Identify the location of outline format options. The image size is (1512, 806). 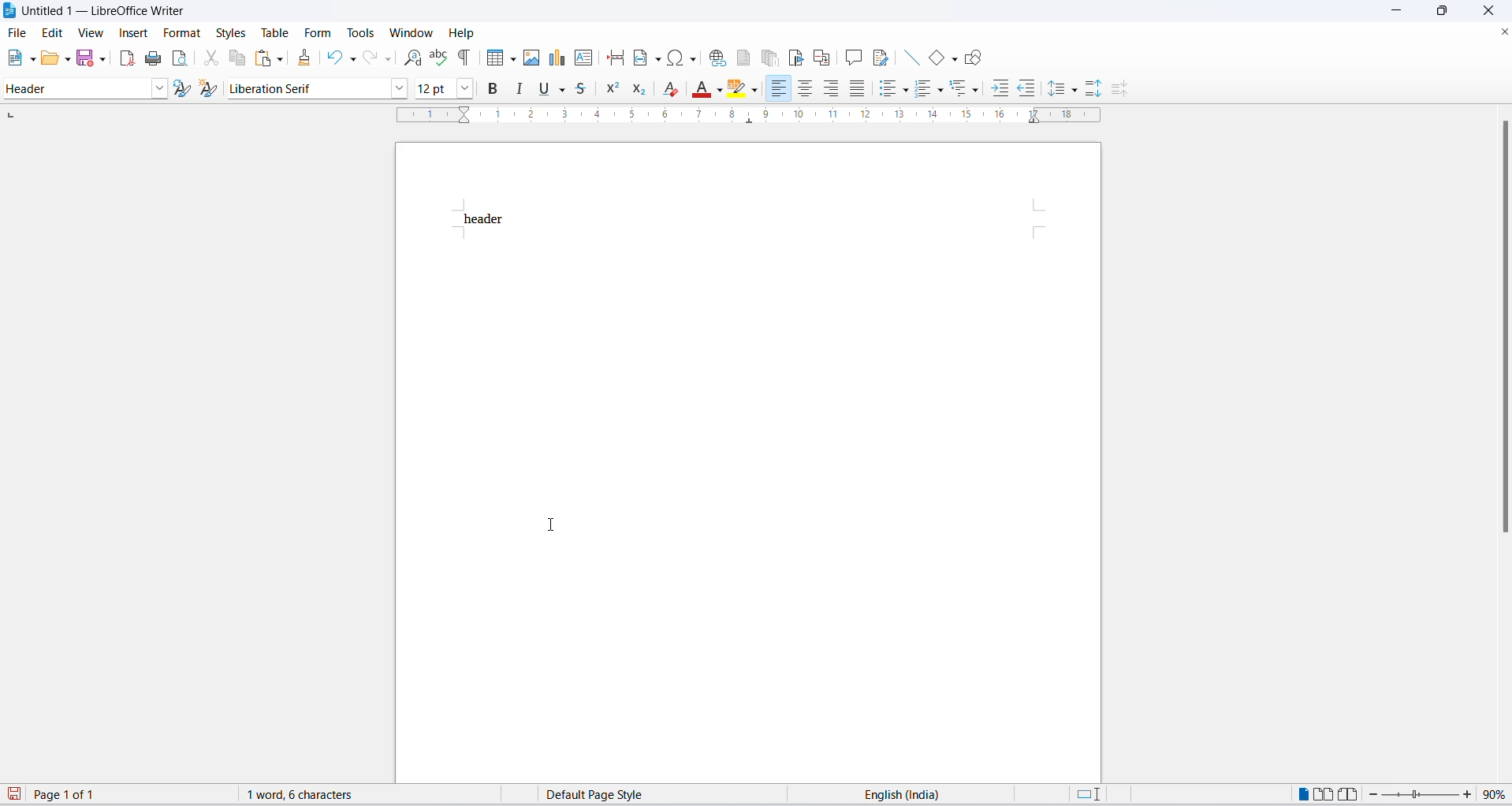
(975, 91).